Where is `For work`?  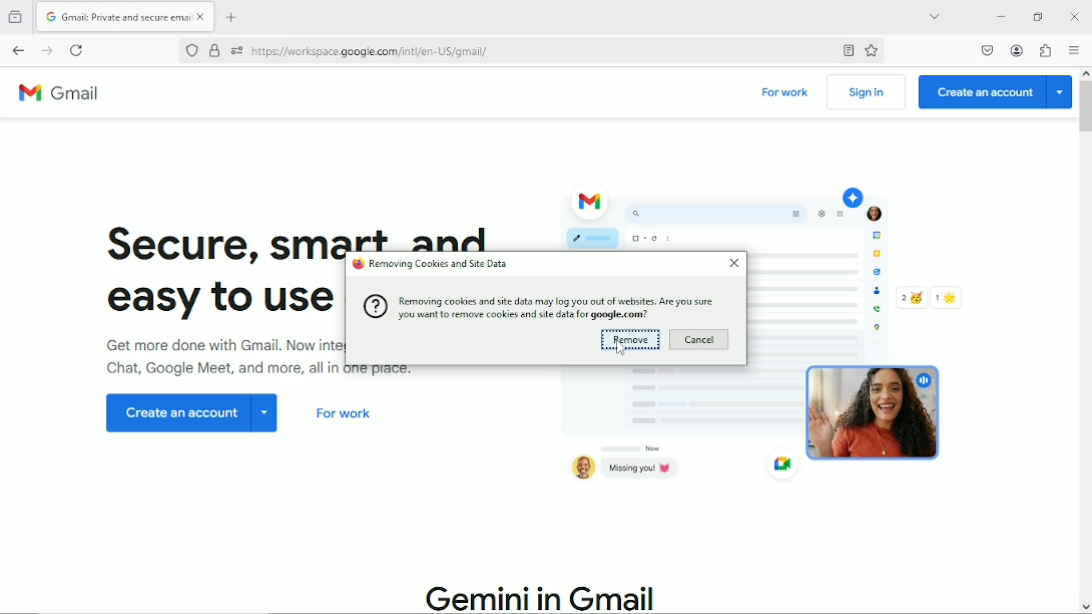 For work is located at coordinates (786, 94).